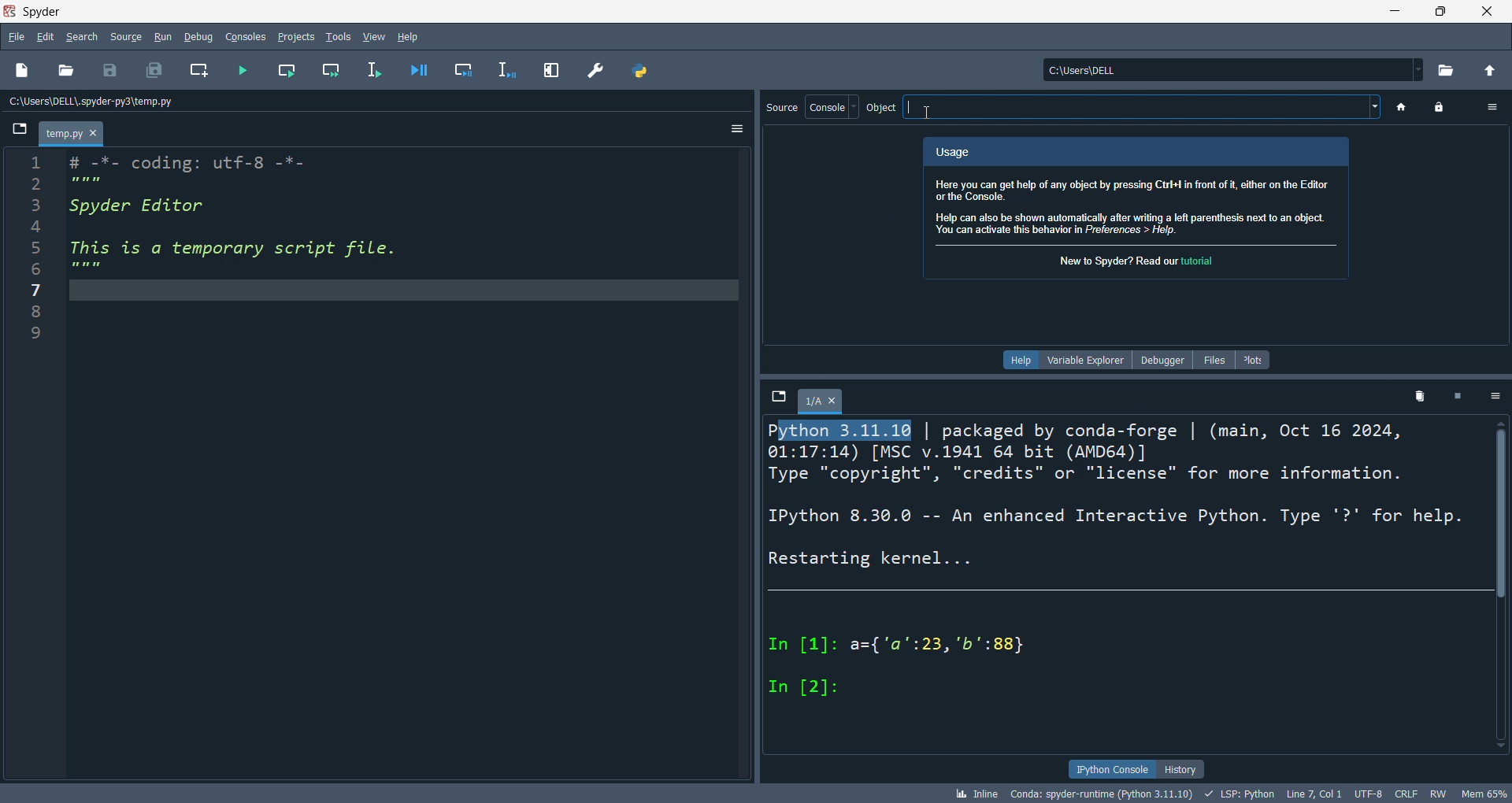 This screenshot has height=803, width=1512. Describe the element at coordinates (124, 35) in the screenshot. I see `source` at that location.